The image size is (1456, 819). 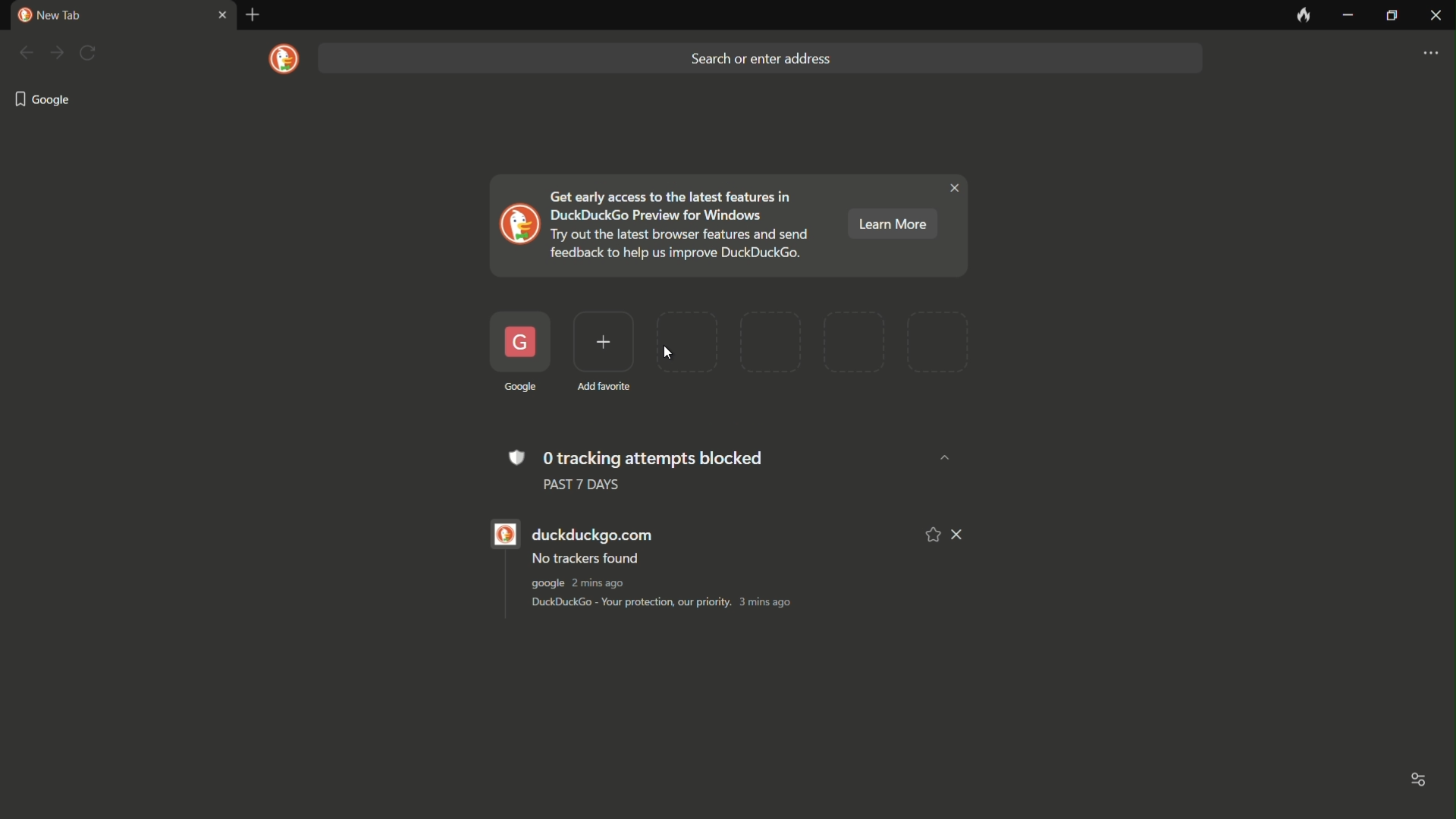 I want to click on settings, so click(x=1430, y=54).